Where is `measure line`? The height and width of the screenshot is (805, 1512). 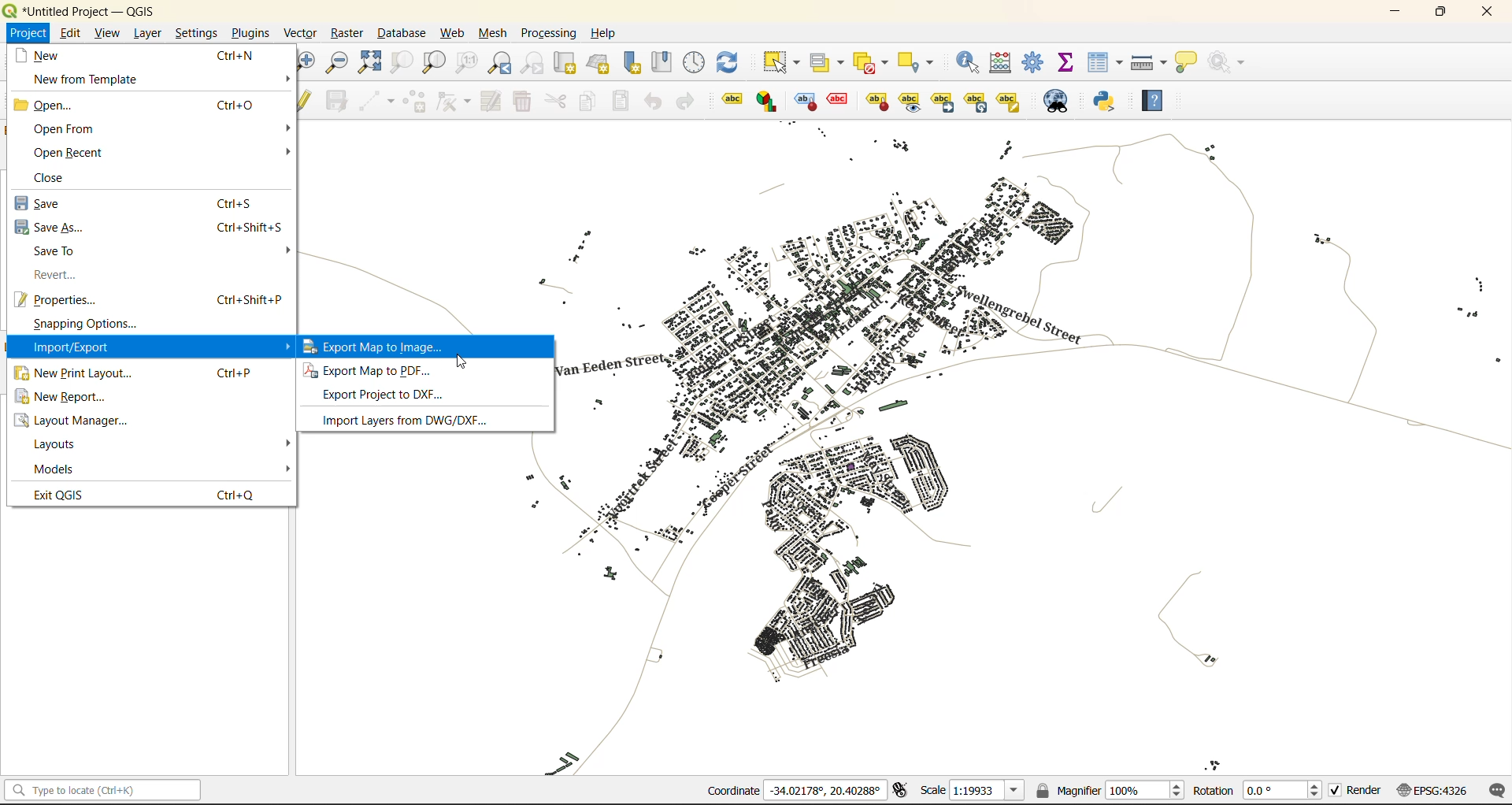 measure line is located at coordinates (1149, 61).